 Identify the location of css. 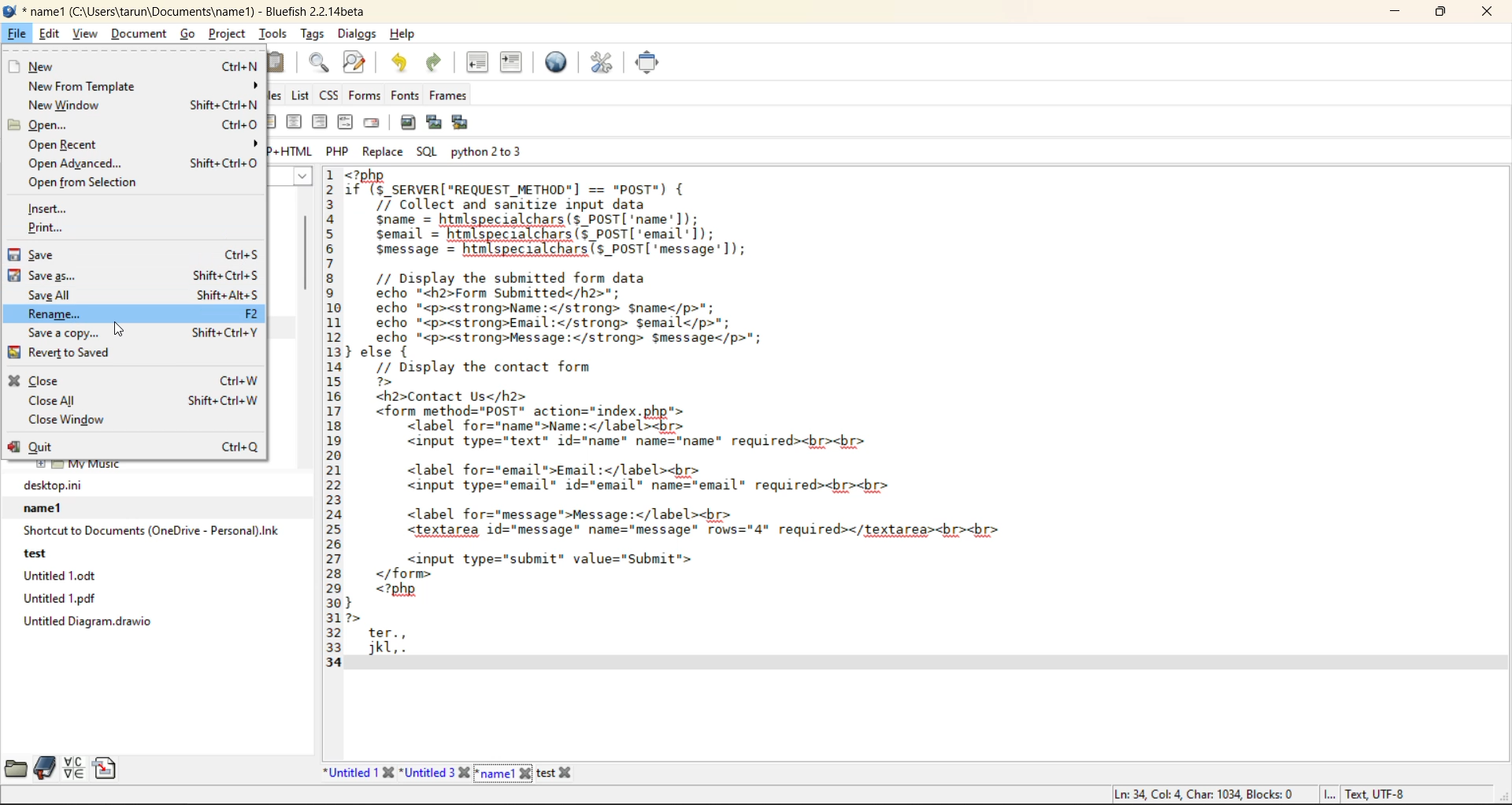
(330, 95).